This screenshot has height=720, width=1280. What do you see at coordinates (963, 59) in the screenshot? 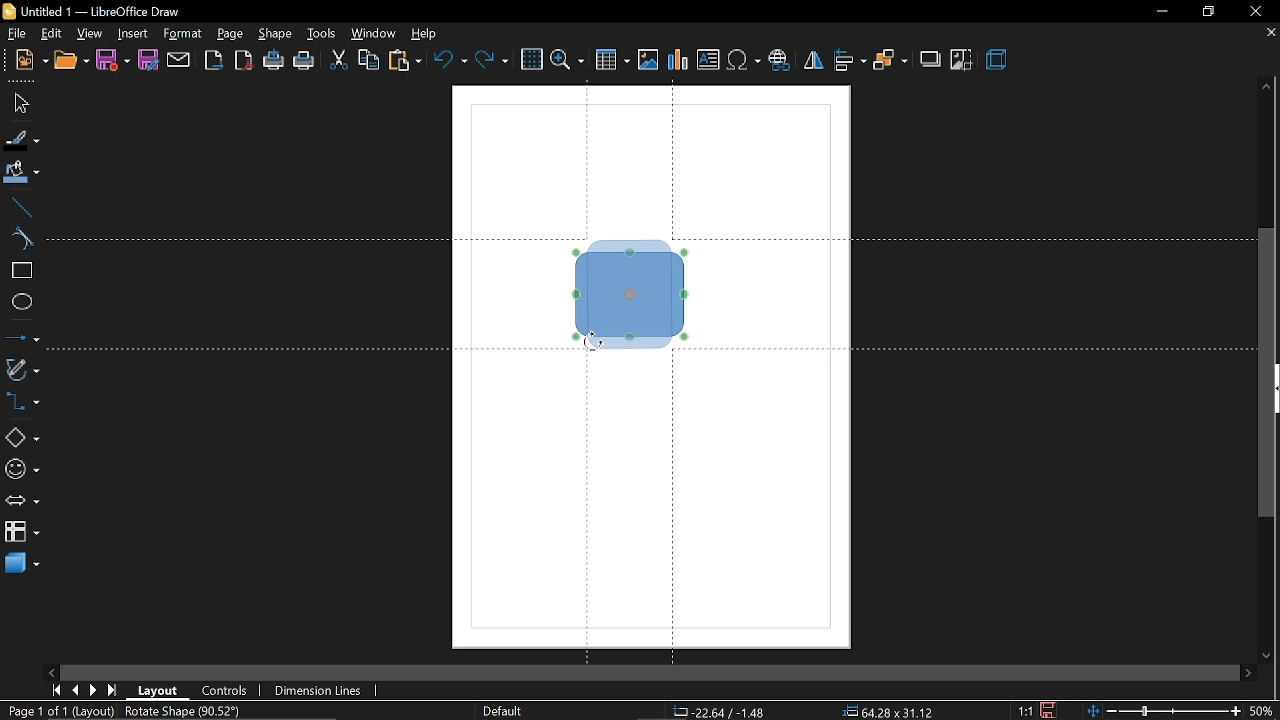
I see `crop` at bounding box center [963, 59].